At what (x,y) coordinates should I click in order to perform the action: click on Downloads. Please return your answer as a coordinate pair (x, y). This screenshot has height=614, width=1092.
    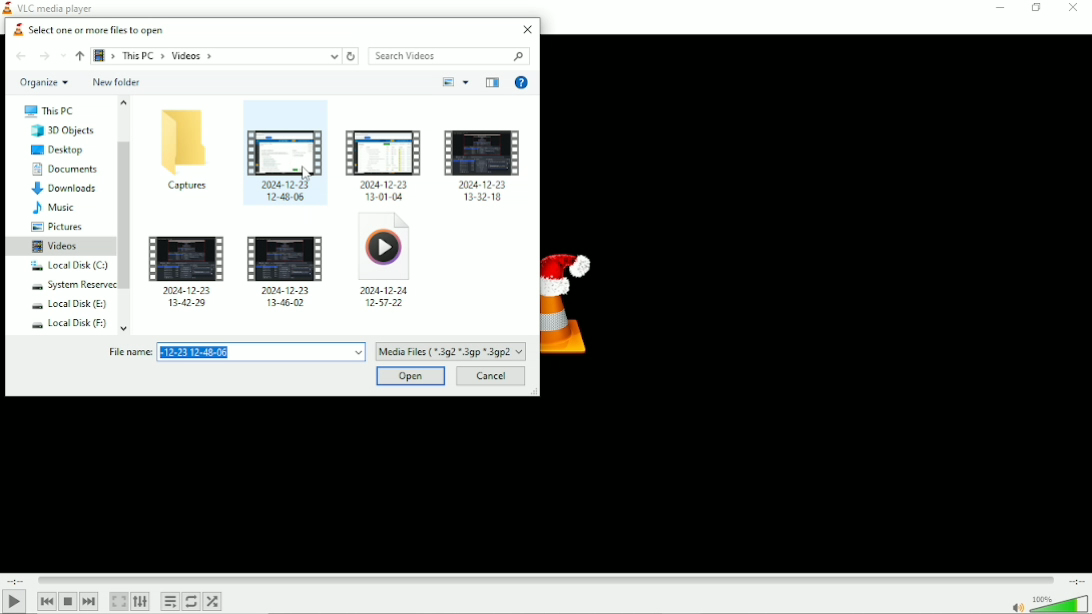
    Looking at the image, I should click on (65, 189).